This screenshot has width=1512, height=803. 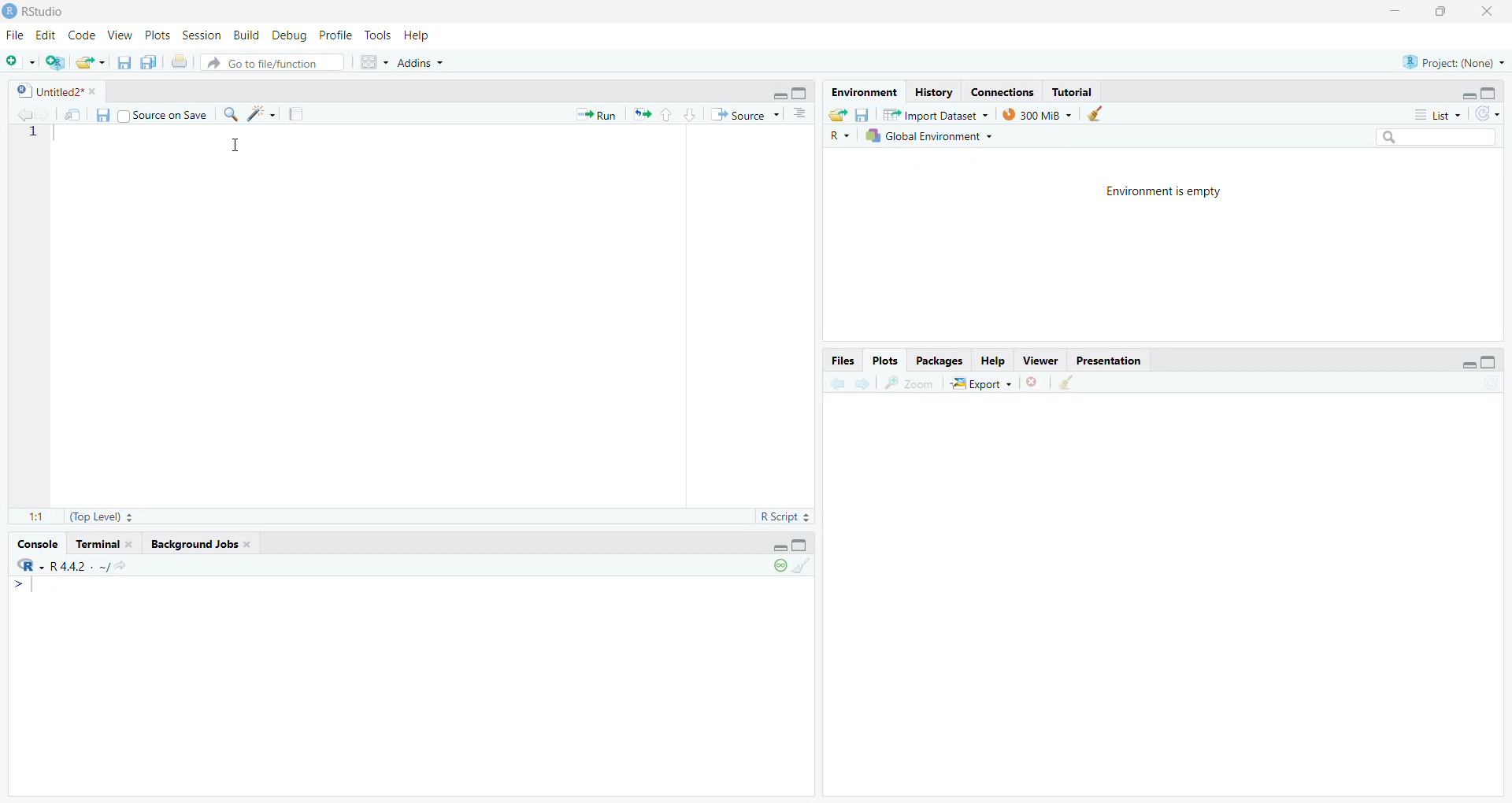 What do you see at coordinates (1039, 114) in the screenshot?
I see `300 MB ` at bounding box center [1039, 114].